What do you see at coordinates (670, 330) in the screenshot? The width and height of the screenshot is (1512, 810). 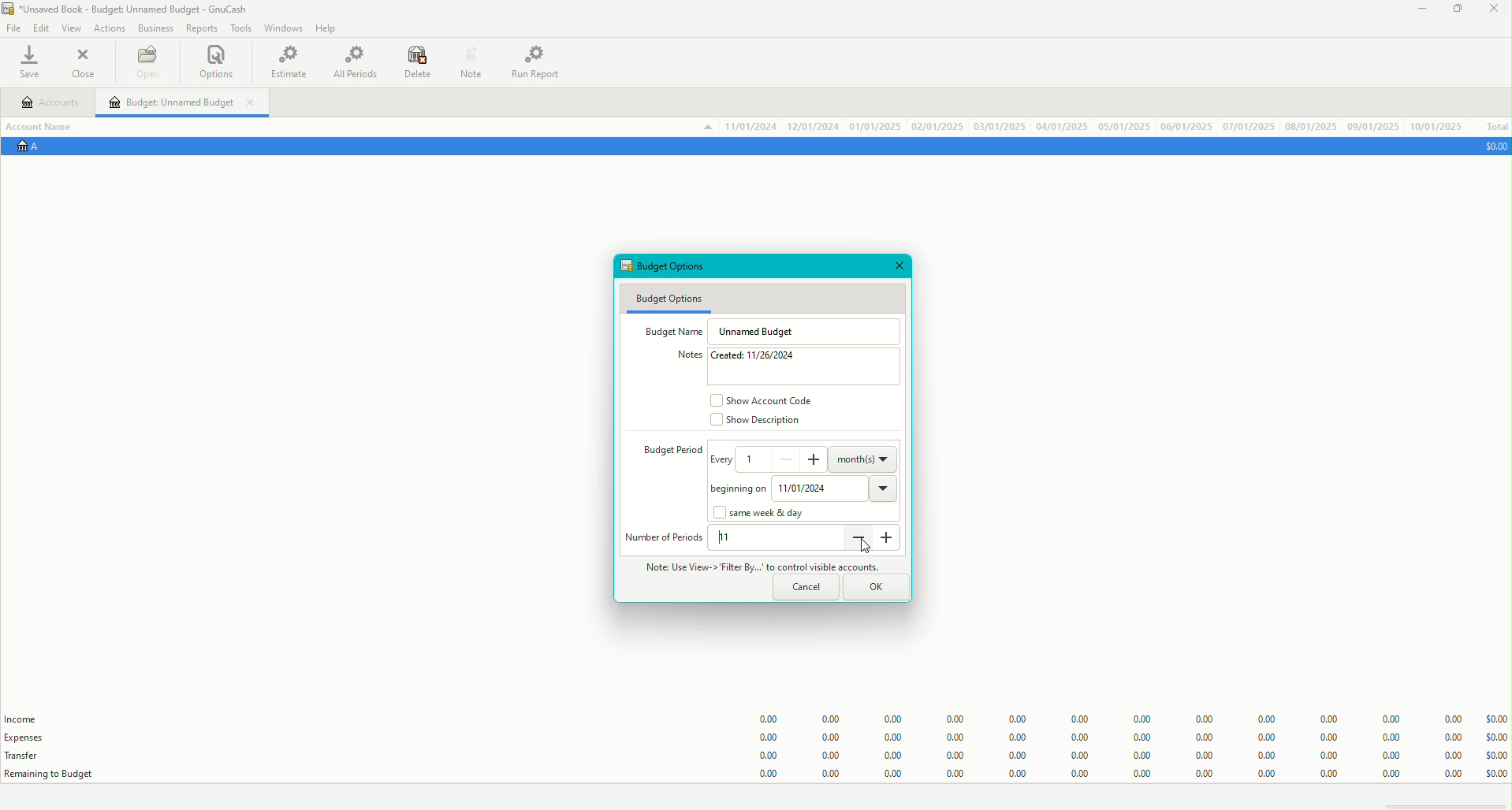 I see `Budget Name.` at bounding box center [670, 330].